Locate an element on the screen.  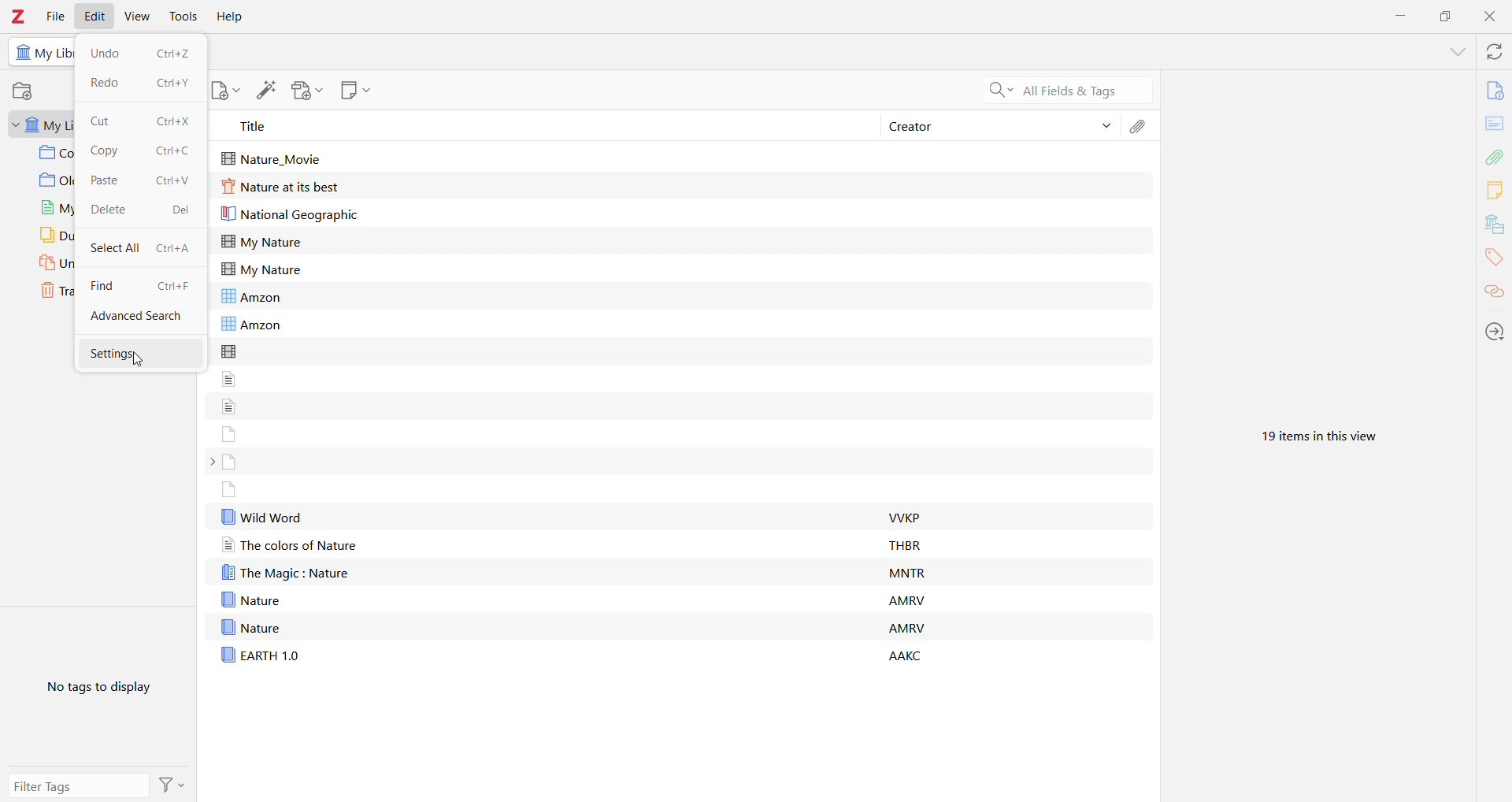
New Note is located at coordinates (355, 91).